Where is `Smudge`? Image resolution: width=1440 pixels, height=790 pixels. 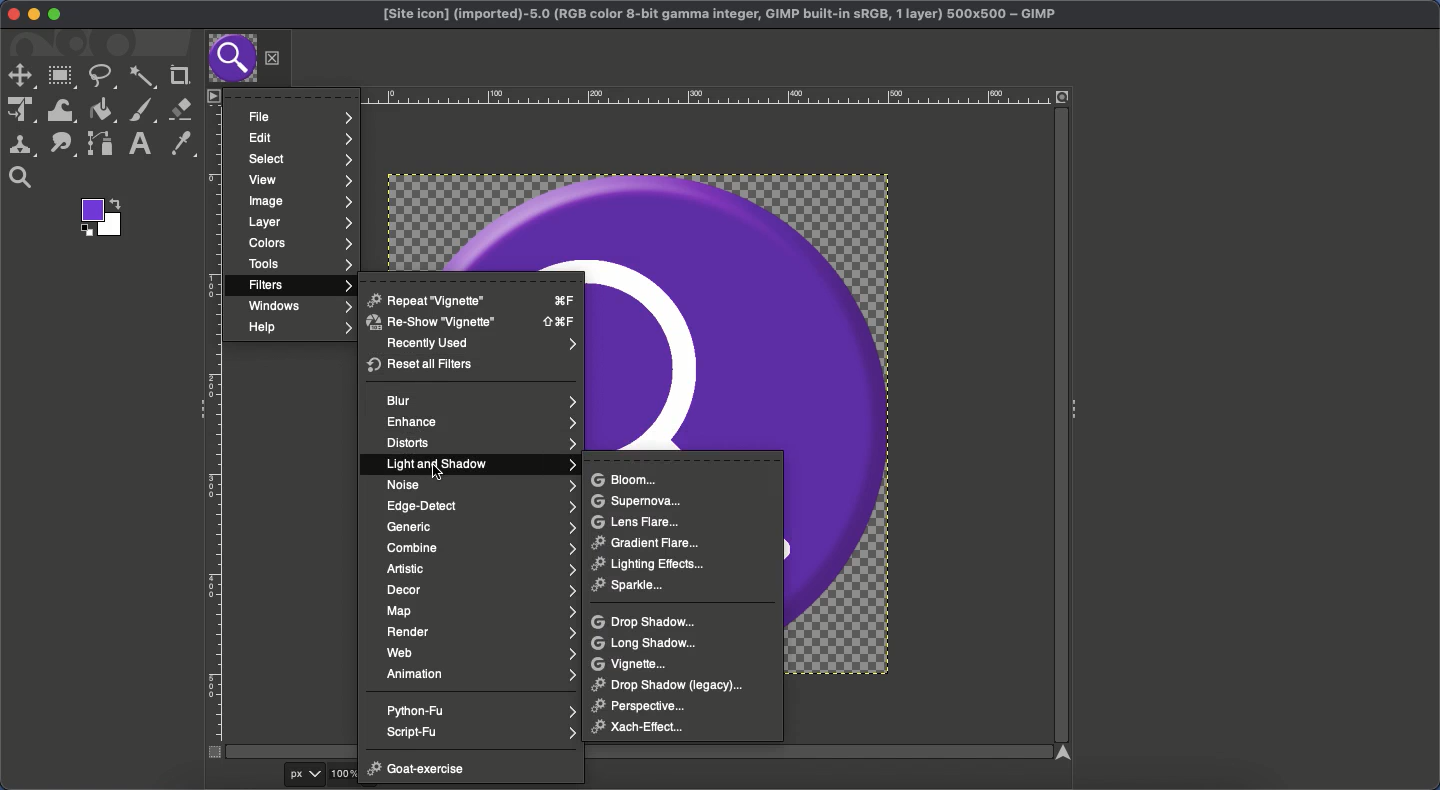
Smudge is located at coordinates (63, 145).